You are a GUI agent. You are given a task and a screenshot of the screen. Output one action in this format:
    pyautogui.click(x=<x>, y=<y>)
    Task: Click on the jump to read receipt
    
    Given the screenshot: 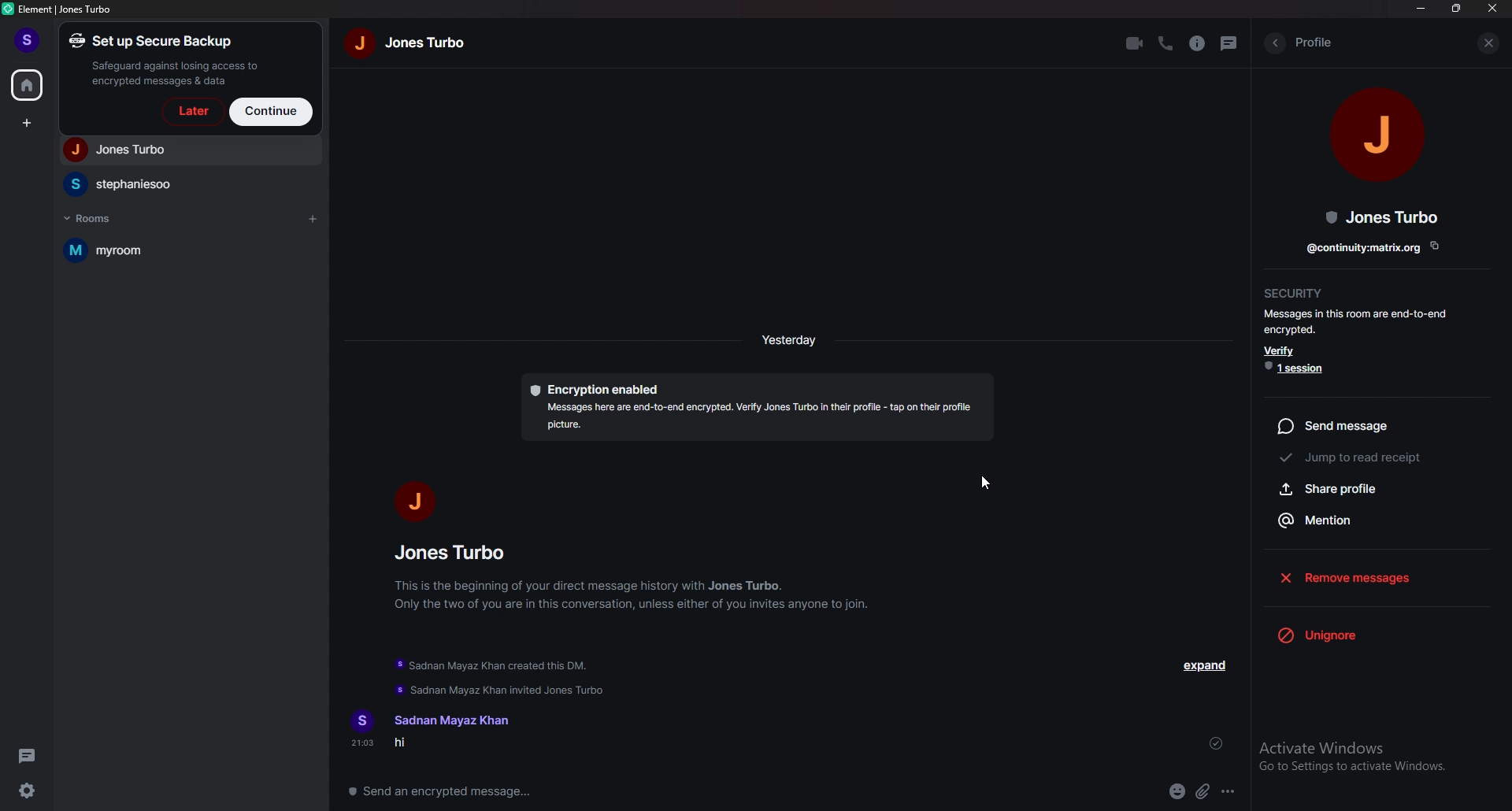 What is the action you would take?
    pyautogui.click(x=1369, y=458)
    